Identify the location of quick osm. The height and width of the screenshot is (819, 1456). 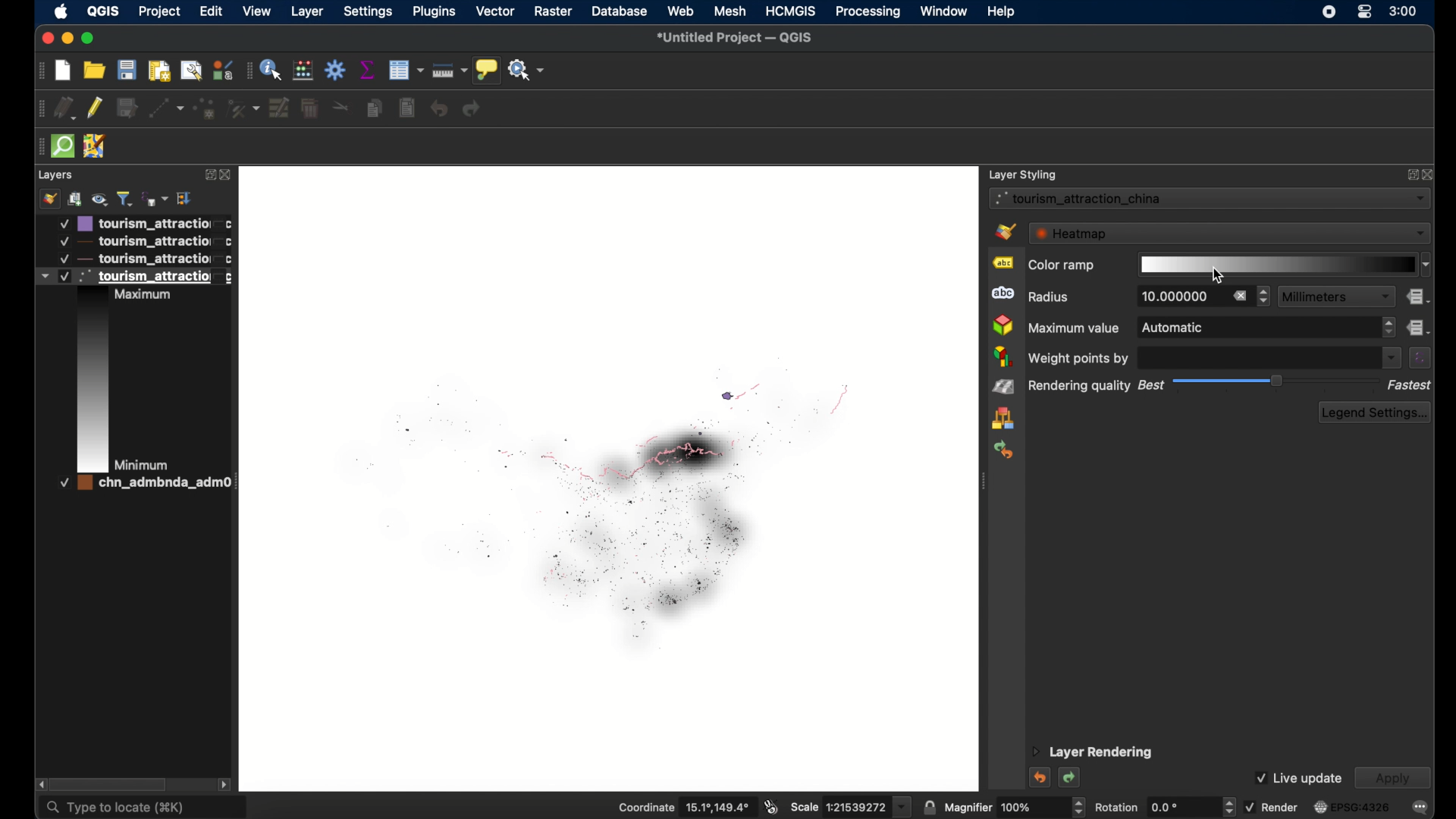
(61, 146).